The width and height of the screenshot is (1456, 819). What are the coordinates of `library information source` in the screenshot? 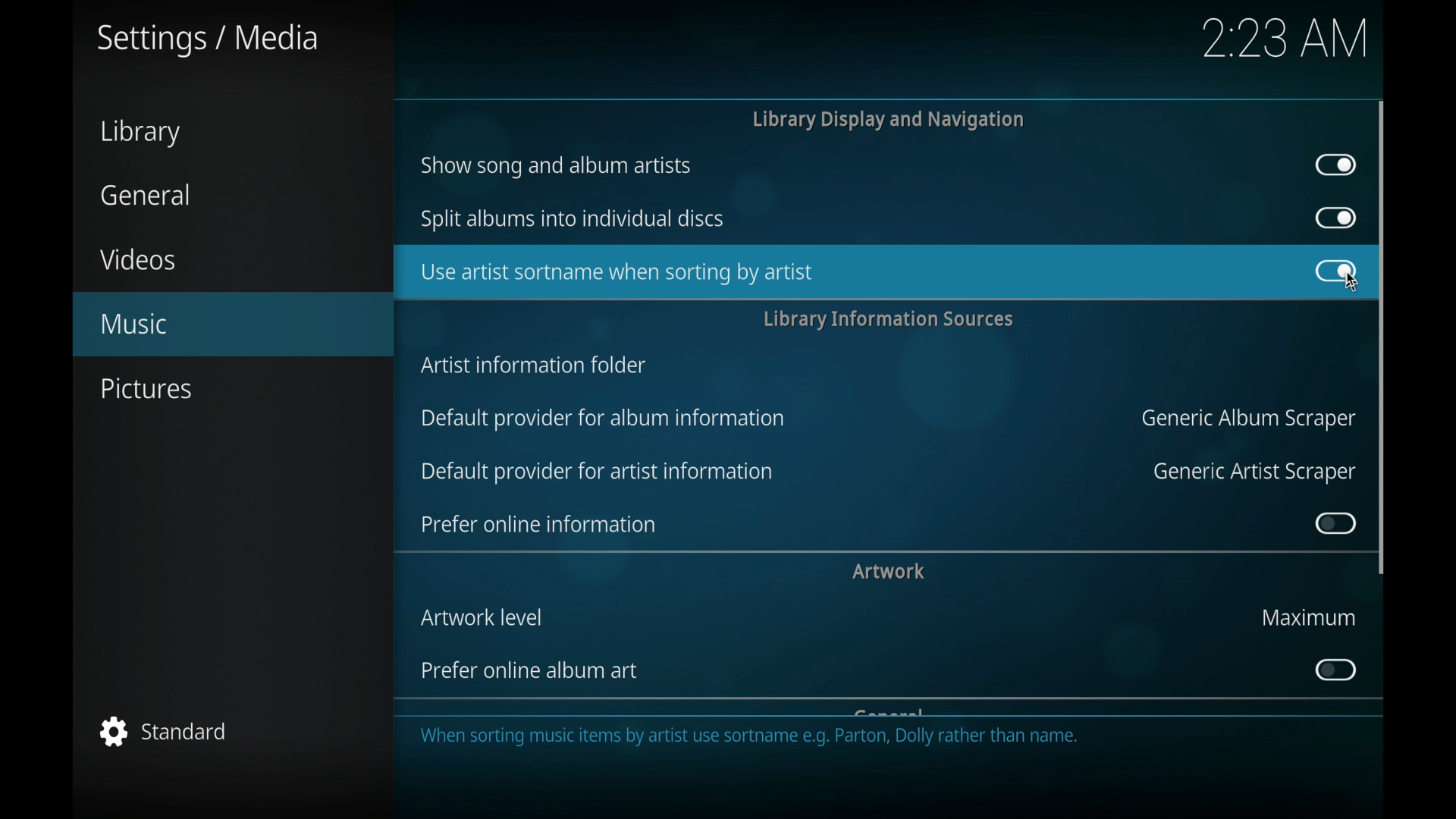 It's located at (888, 319).